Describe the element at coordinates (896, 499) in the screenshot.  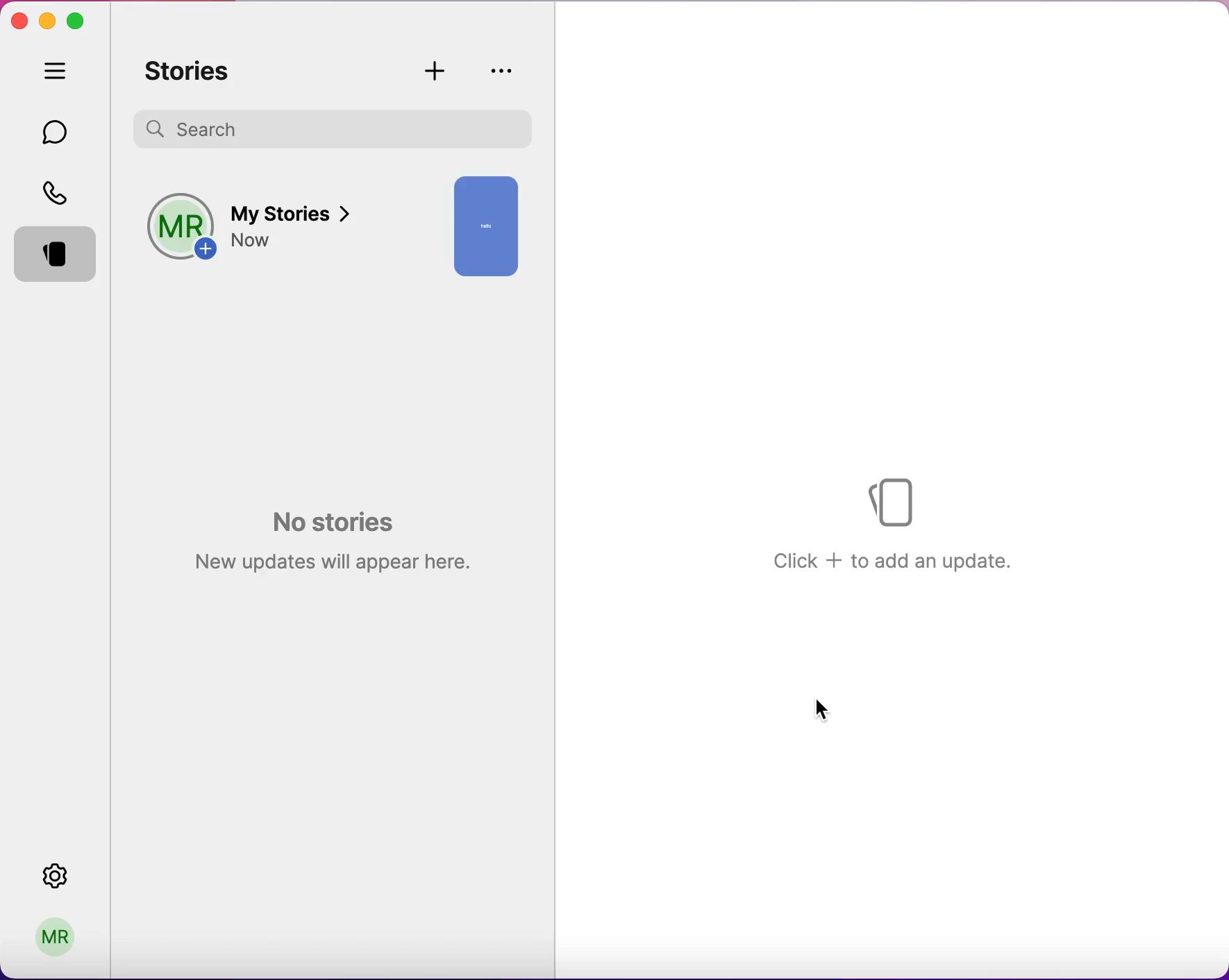
I see `Stories logo` at that location.